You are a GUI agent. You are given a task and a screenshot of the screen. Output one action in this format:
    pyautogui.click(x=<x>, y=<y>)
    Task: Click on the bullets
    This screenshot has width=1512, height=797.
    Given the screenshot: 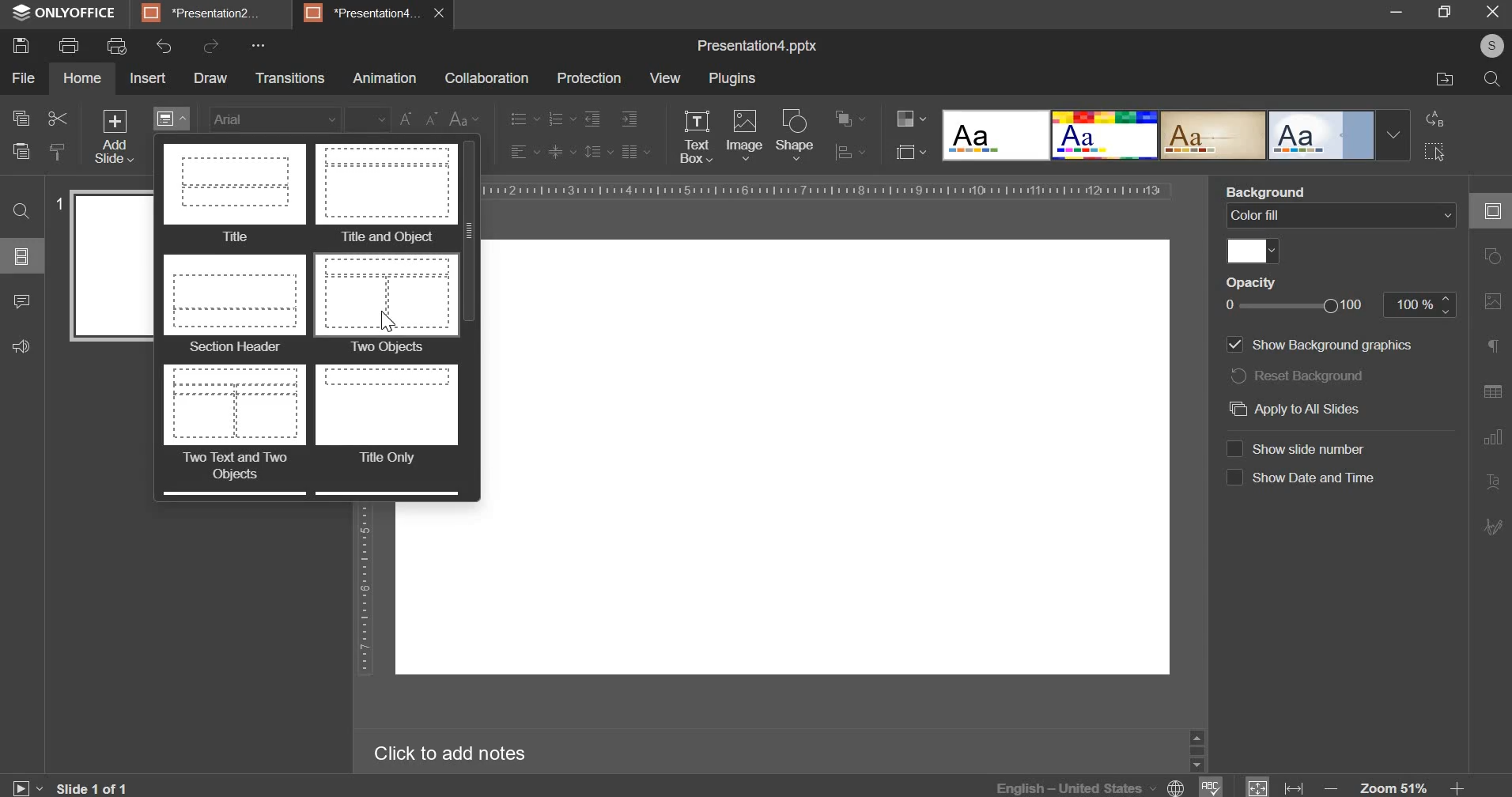 What is the action you would take?
    pyautogui.click(x=524, y=119)
    